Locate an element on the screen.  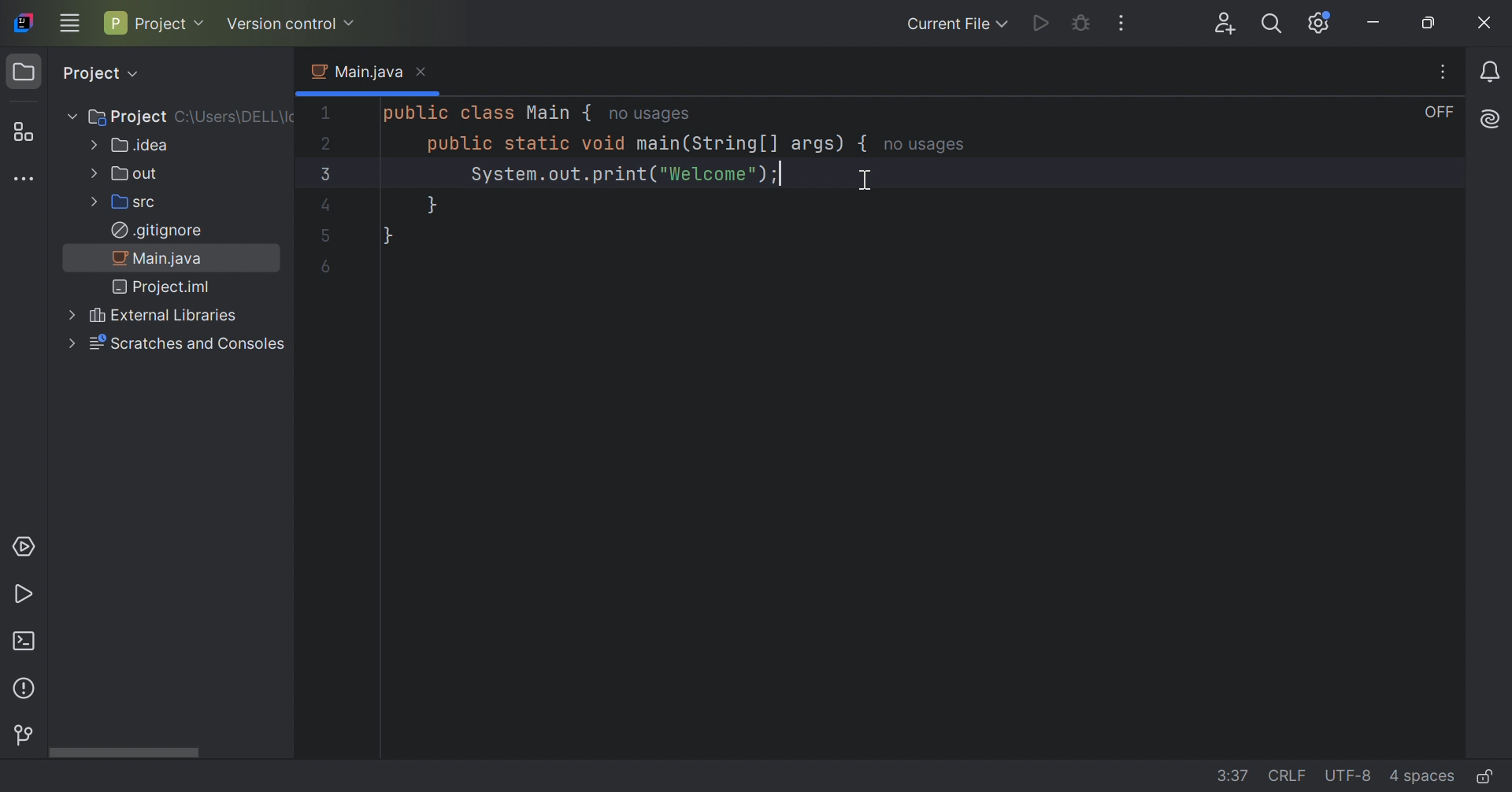
Project is located at coordinates (118, 115).